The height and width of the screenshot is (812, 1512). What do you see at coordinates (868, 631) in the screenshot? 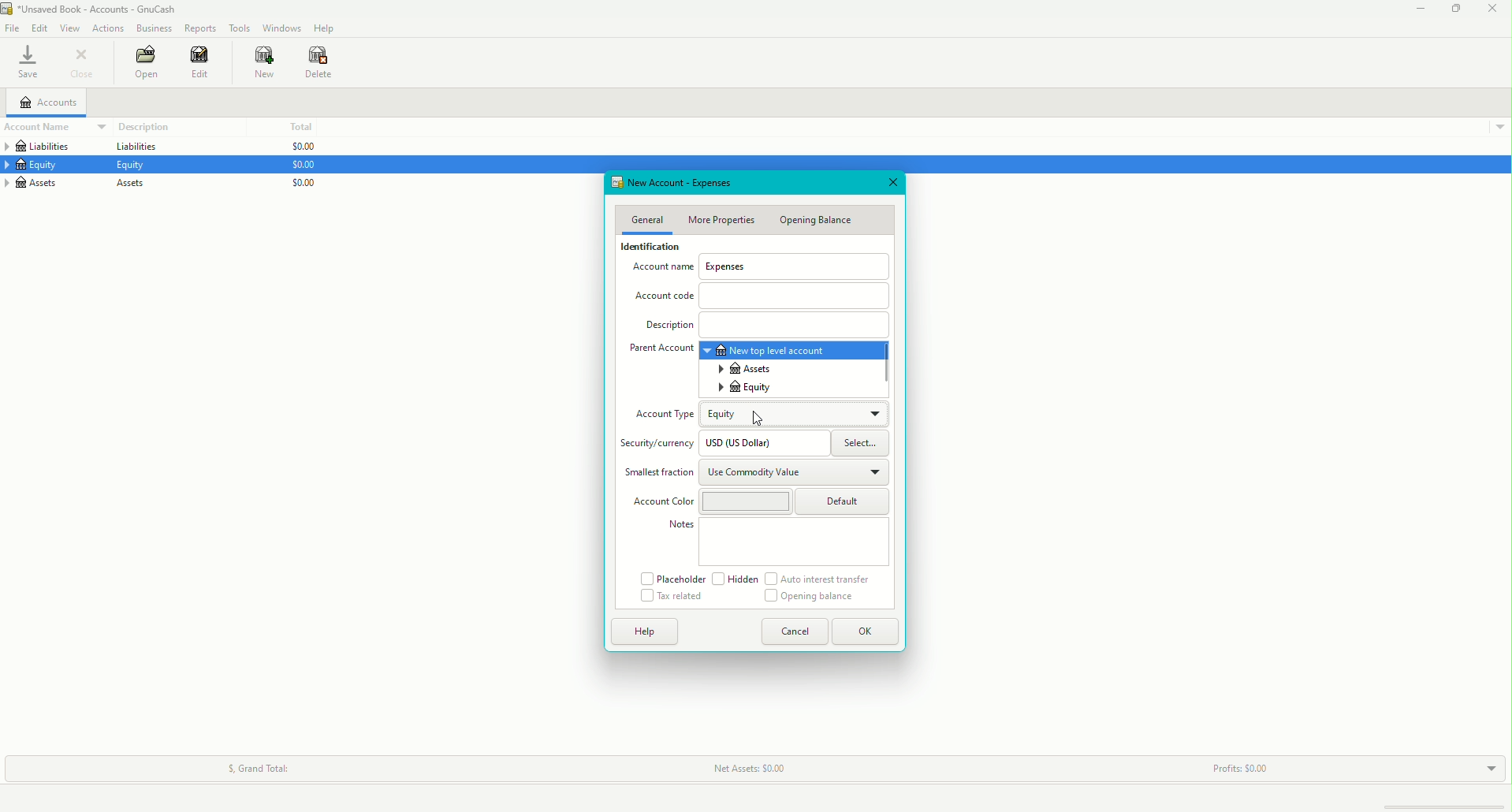
I see `OK` at bounding box center [868, 631].